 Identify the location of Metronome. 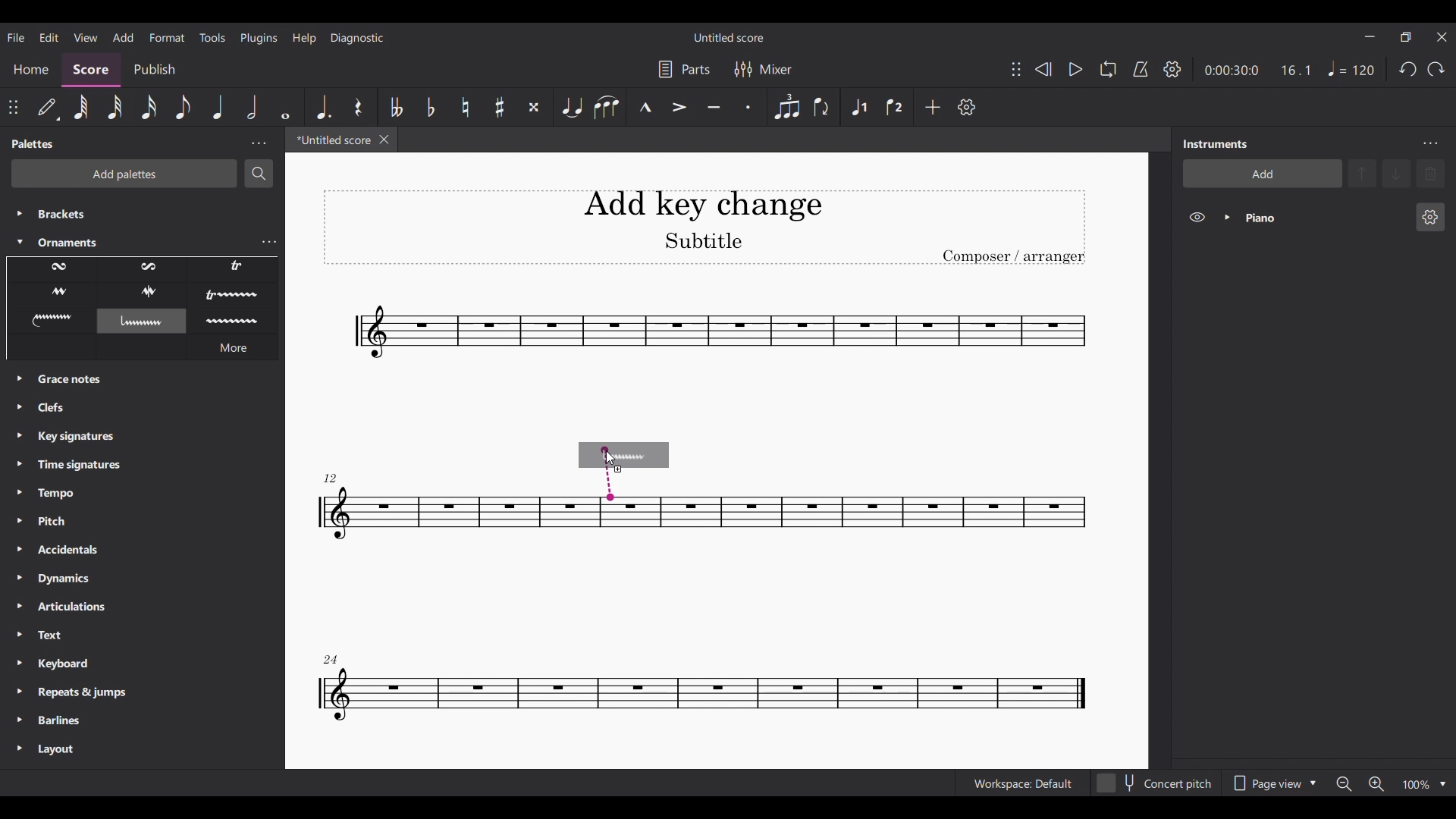
(1141, 69).